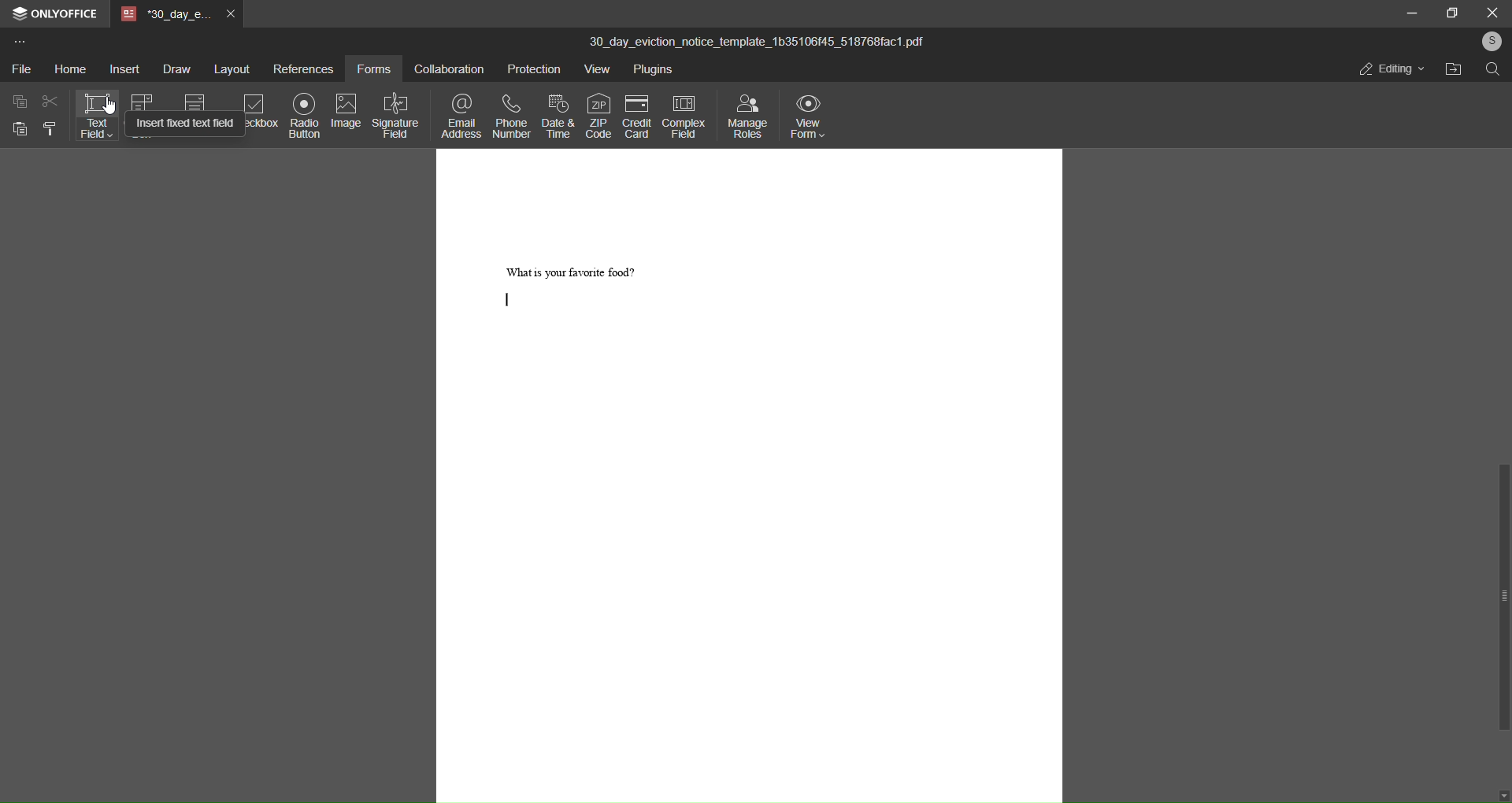  What do you see at coordinates (759, 38) in the screenshot?
I see `title` at bounding box center [759, 38].